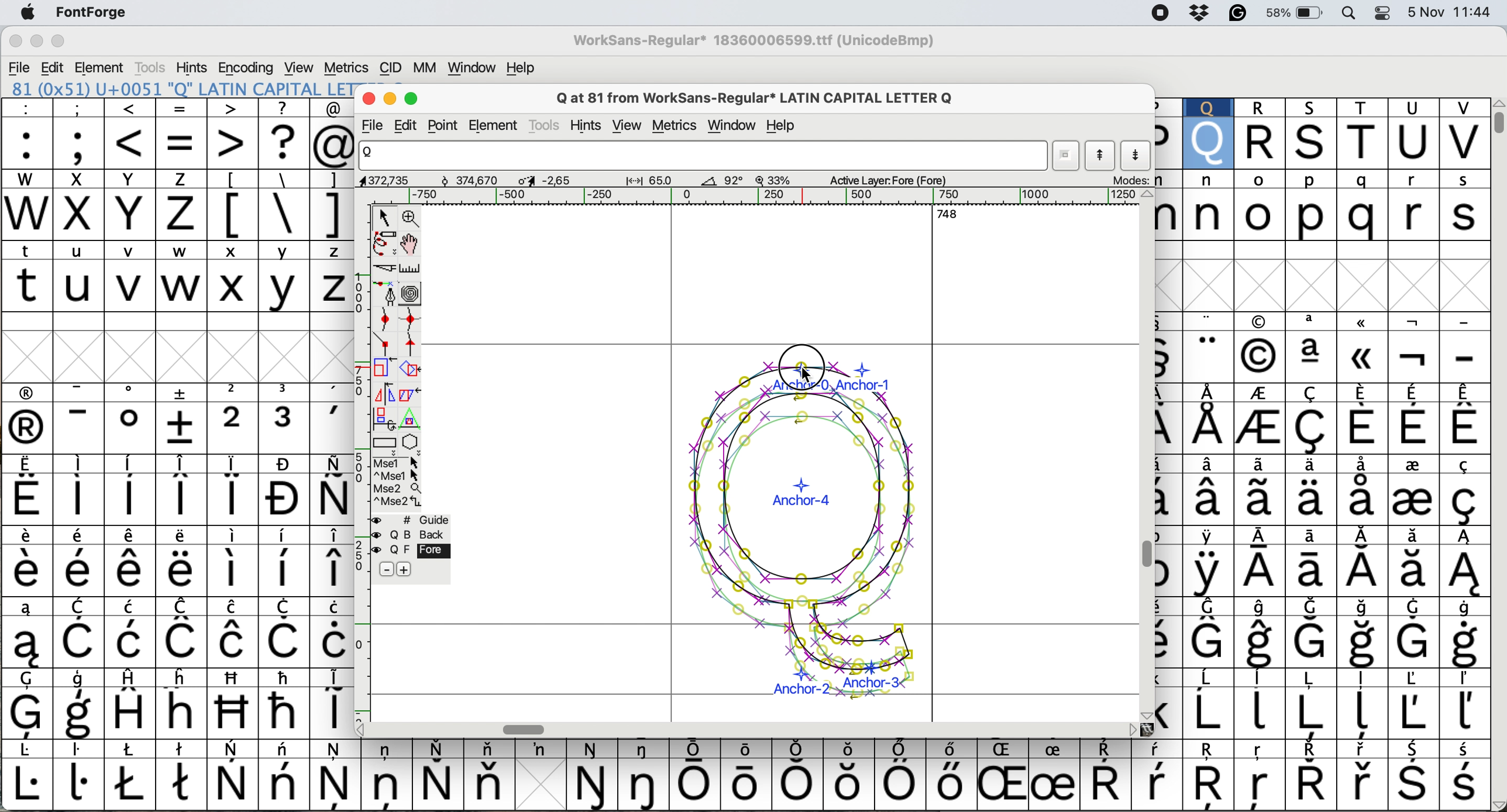 The width and height of the screenshot is (1507, 812). I want to click on edit, so click(412, 125).